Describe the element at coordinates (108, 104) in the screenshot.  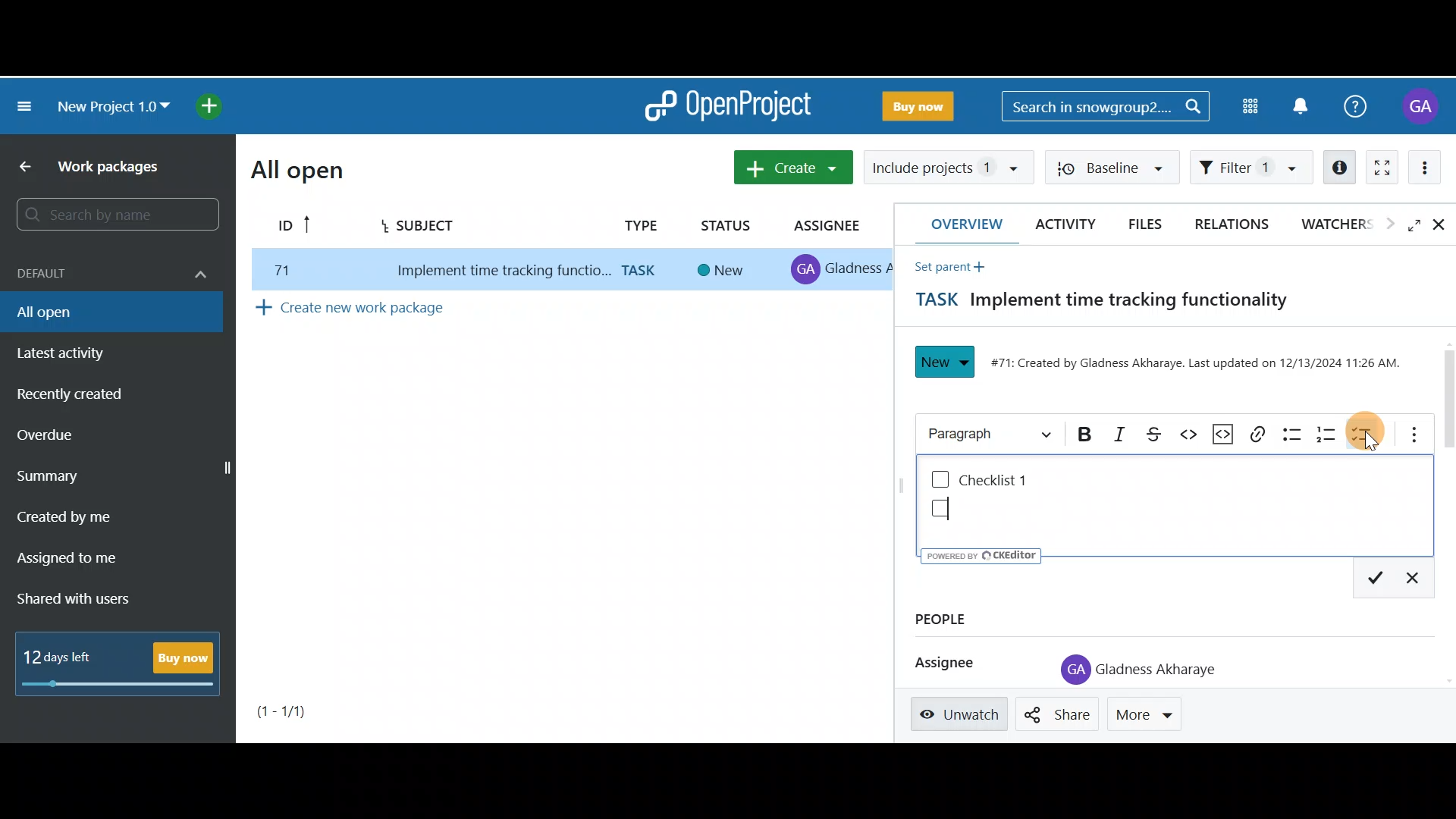
I see `New project 1.0` at that location.